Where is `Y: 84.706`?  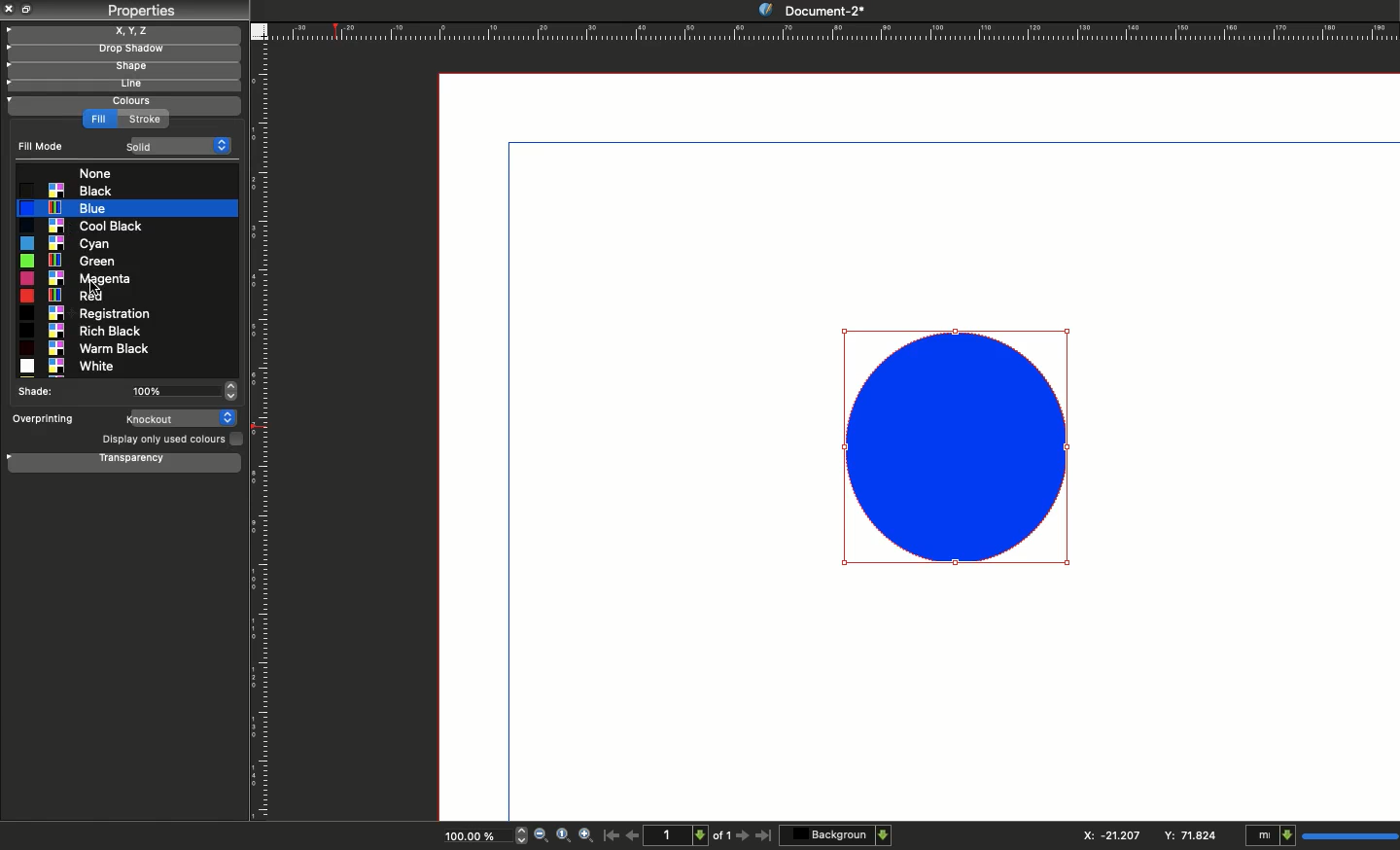
Y: 84.706 is located at coordinates (1193, 834).